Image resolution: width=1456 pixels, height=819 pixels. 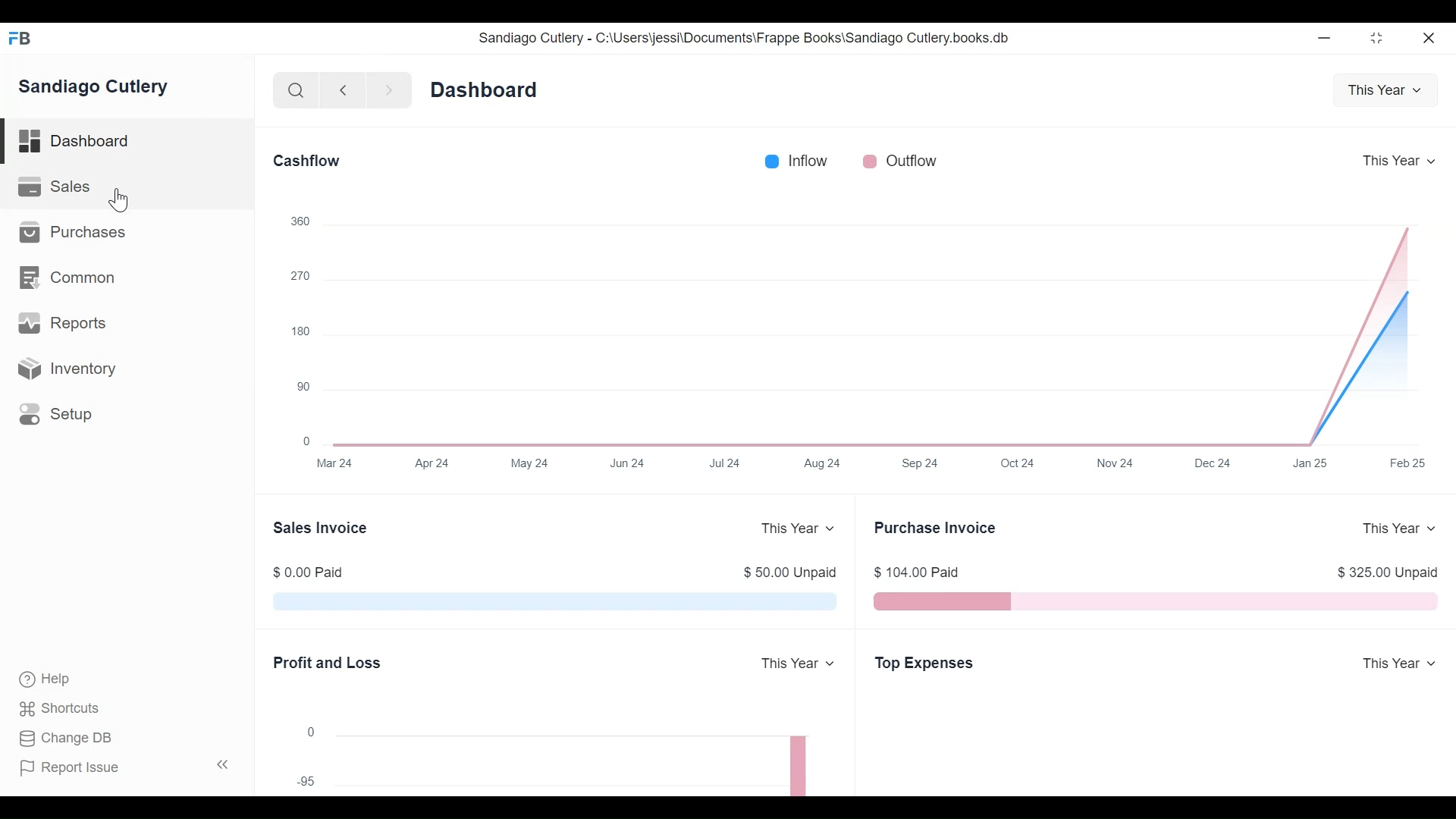 I want to click on Common, so click(x=68, y=276).